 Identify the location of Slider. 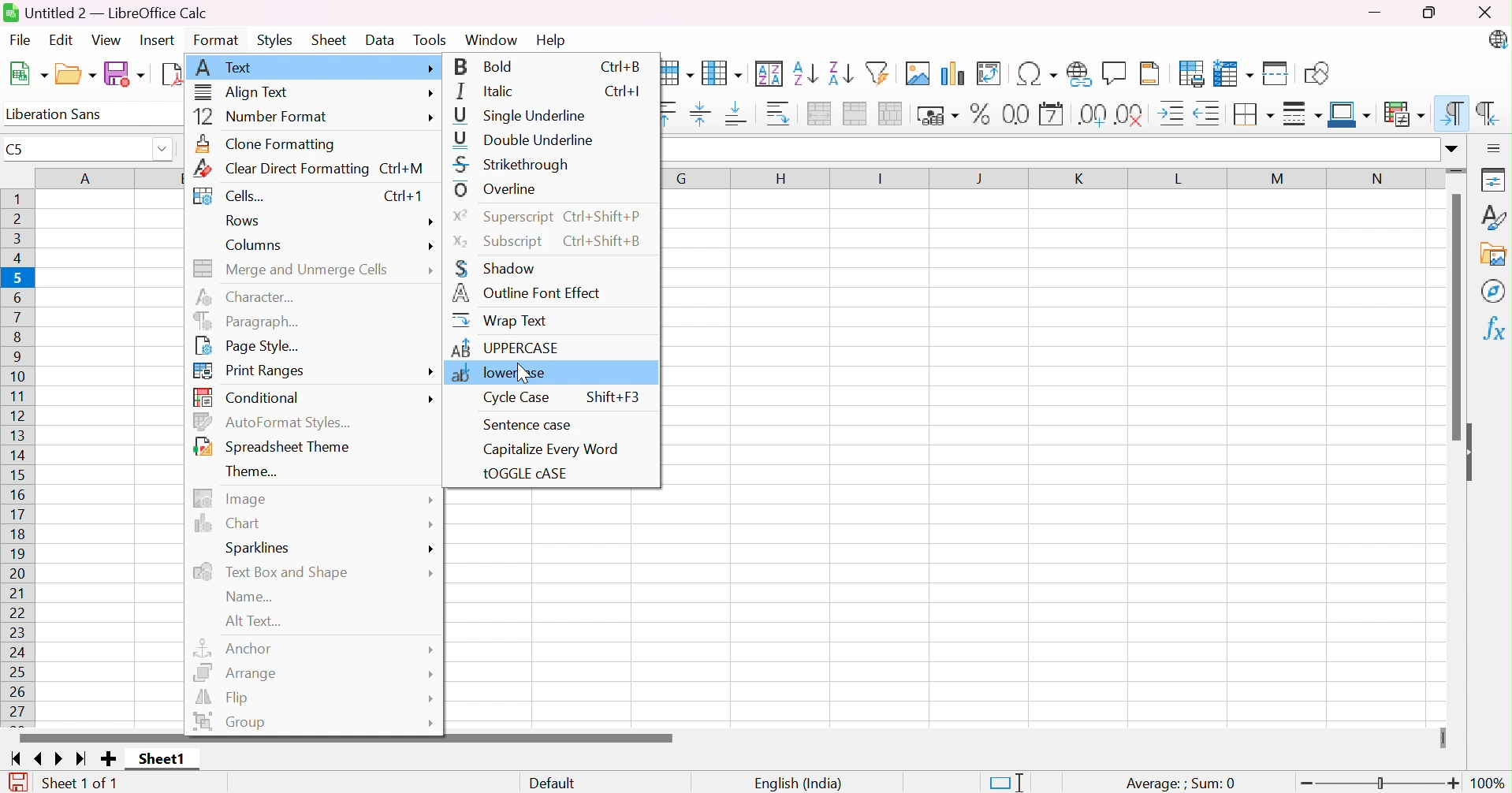
(1381, 782).